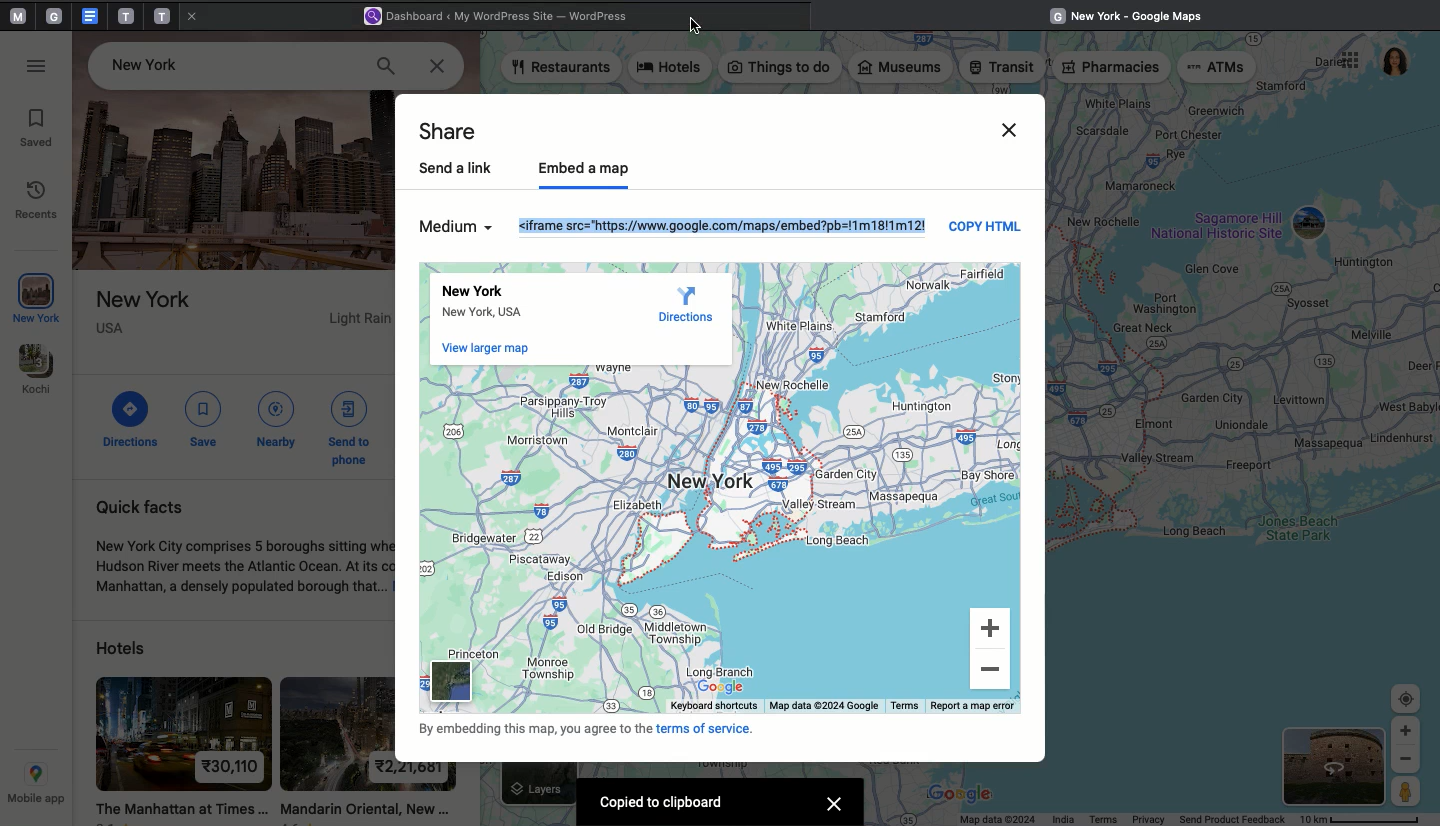 This screenshot has width=1440, height=826. I want to click on Recents, so click(39, 202).